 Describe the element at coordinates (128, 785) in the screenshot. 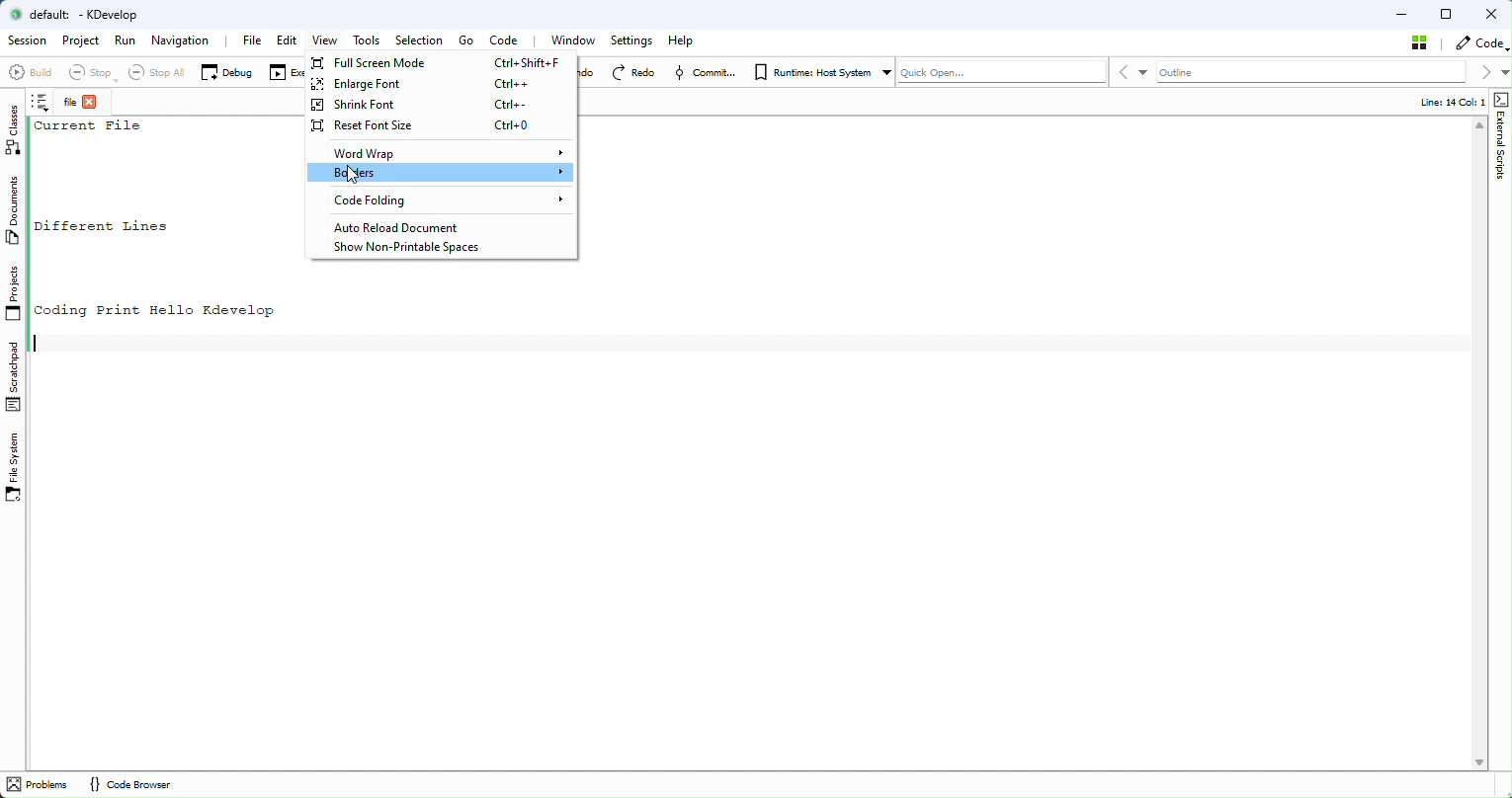

I see `Code Browser` at that location.